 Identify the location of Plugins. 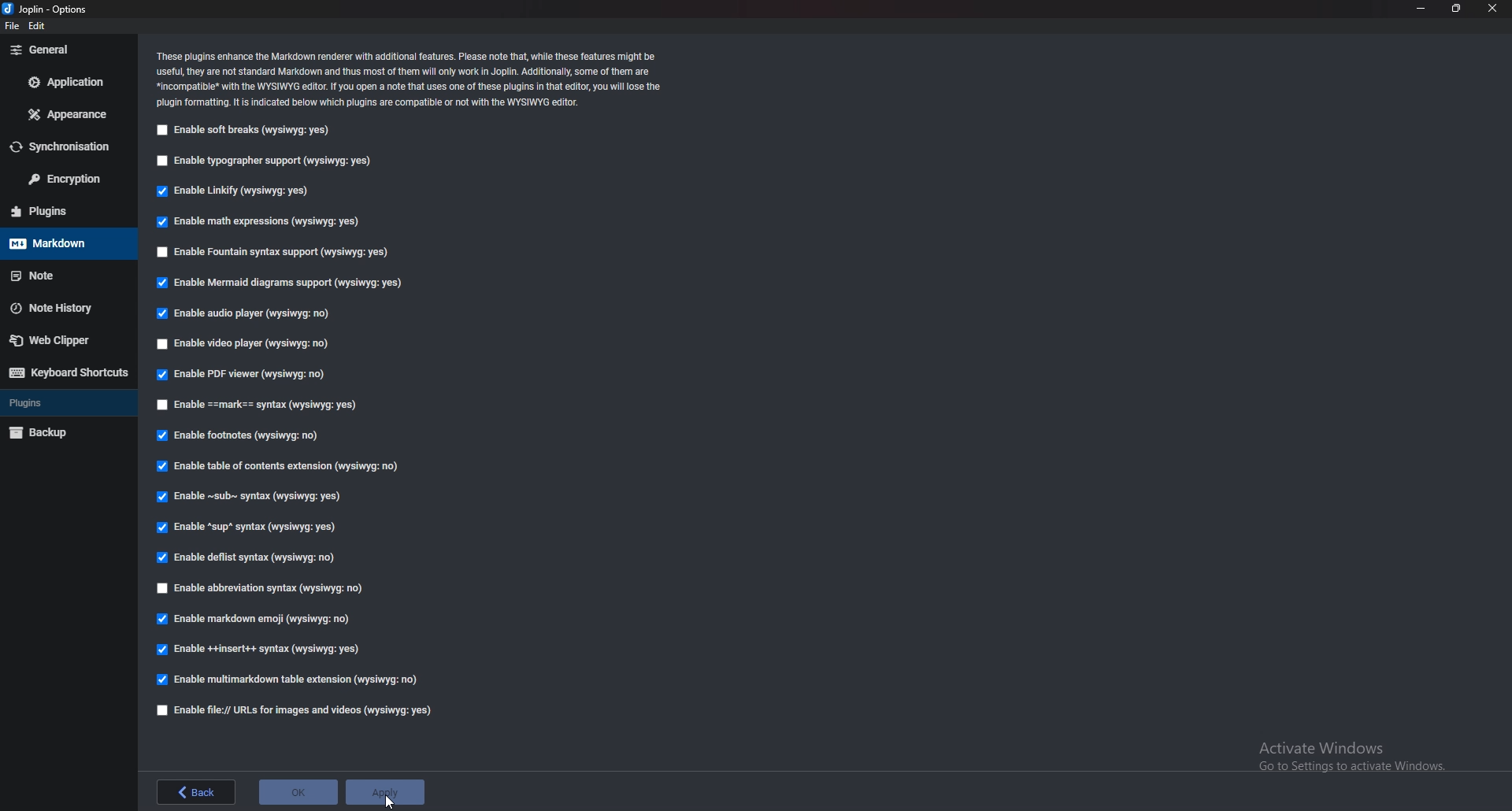
(59, 403).